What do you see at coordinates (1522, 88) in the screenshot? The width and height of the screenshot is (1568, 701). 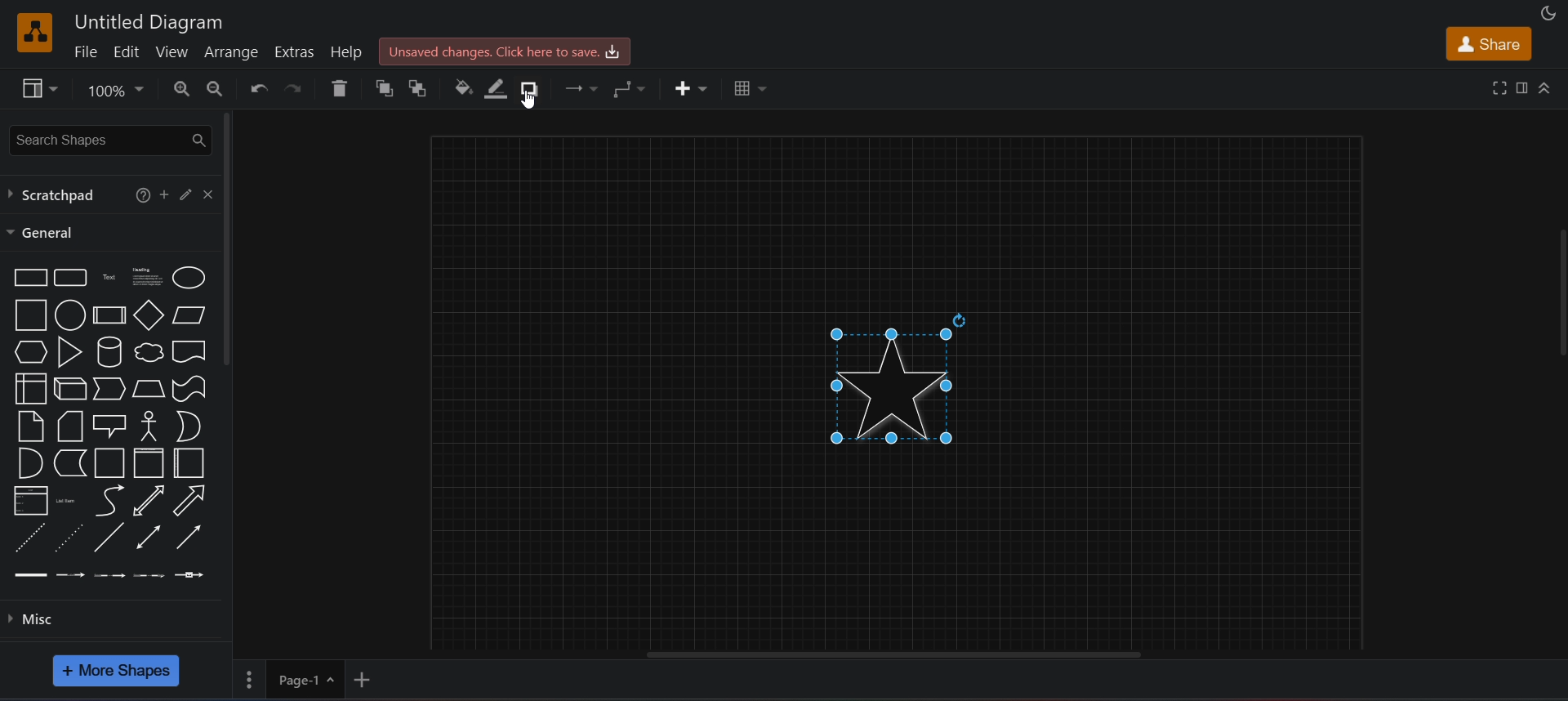 I see `format` at bounding box center [1522, 88].